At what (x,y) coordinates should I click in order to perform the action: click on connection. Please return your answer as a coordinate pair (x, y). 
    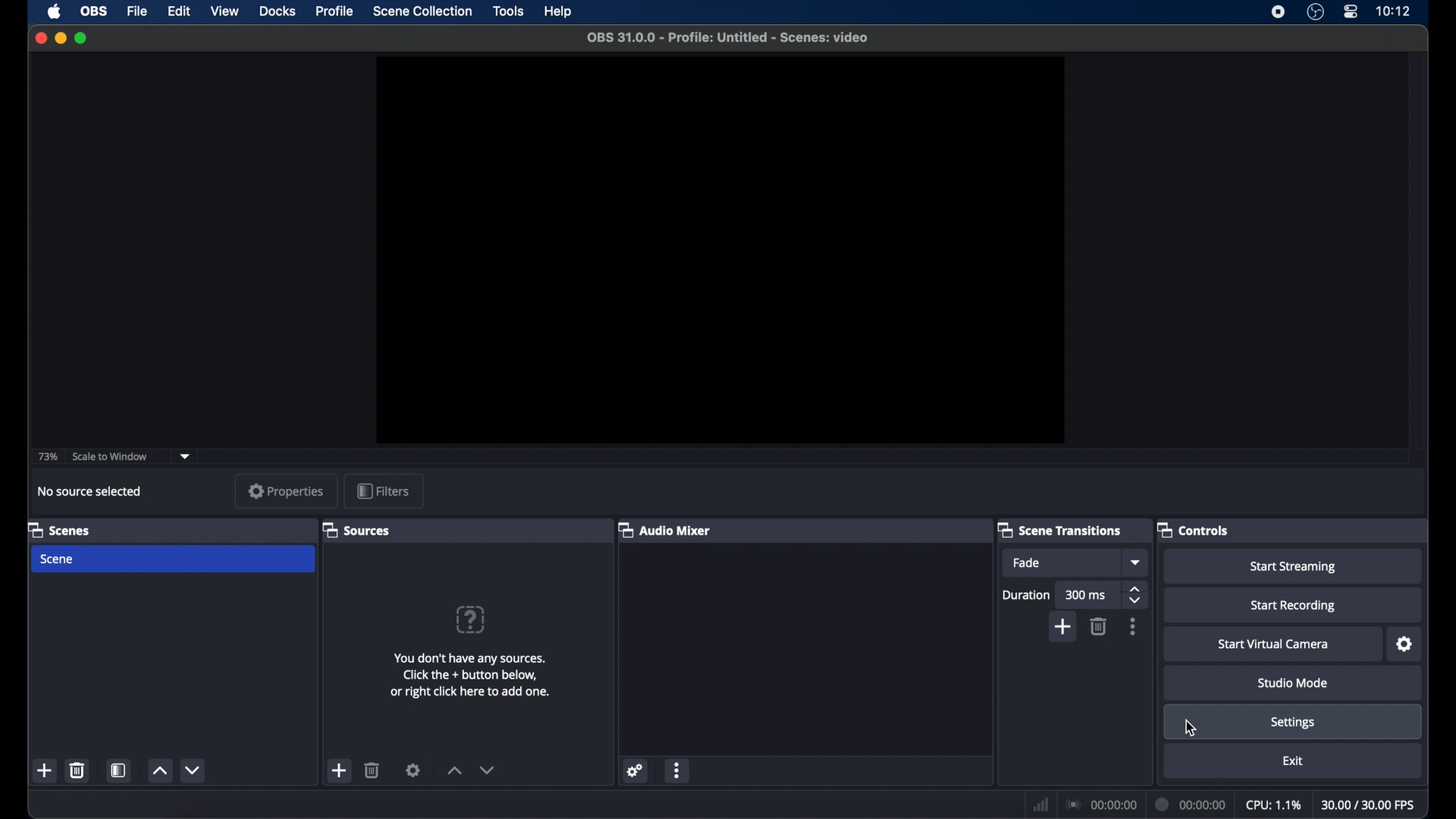
    Looking at the image, I should click on (1100, 804).